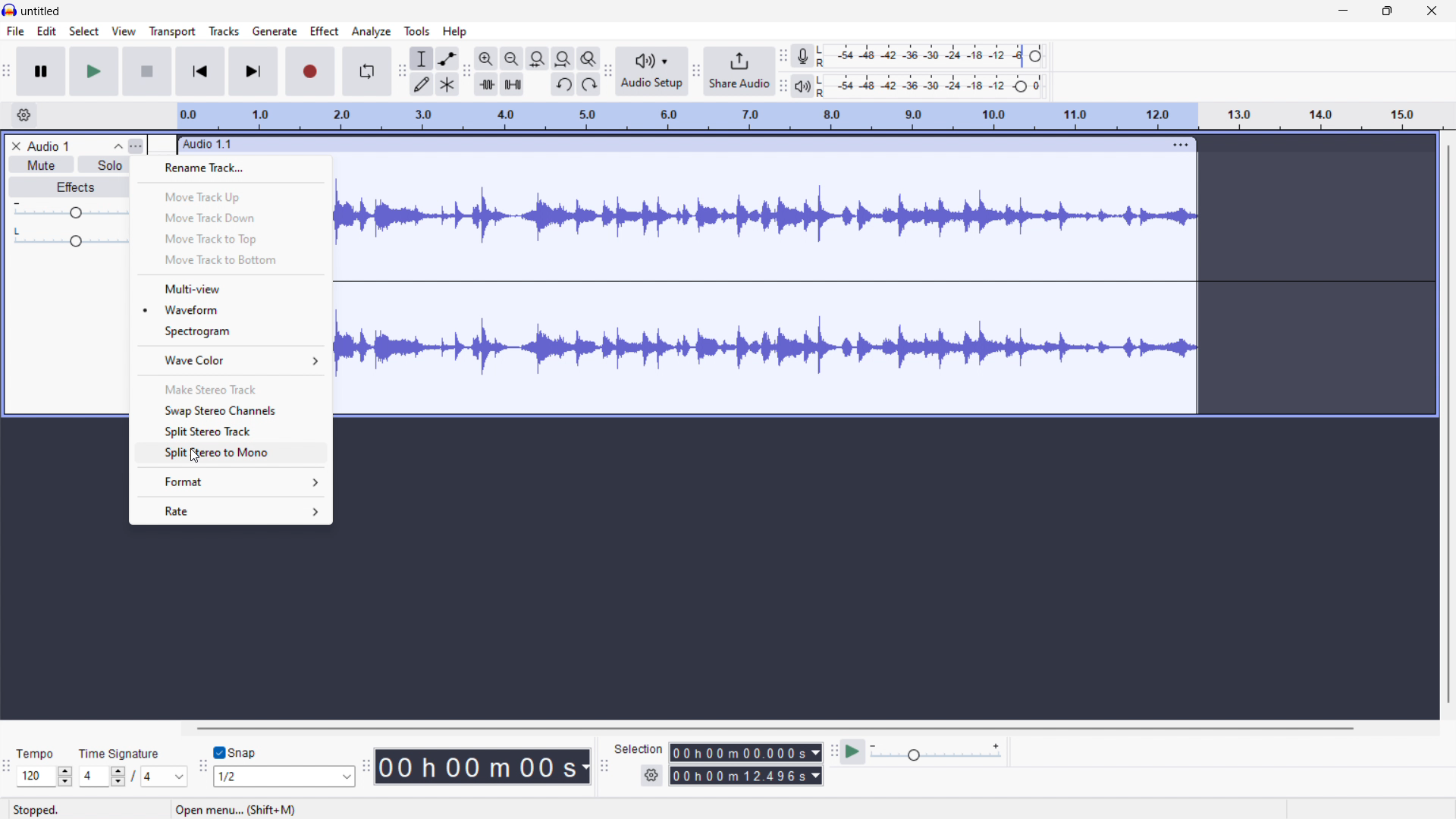 This screenshot has height=819, width=1456. Describe the element at coordinates (467, 71) in the screenshot. I see `edit toolbar` at that location.